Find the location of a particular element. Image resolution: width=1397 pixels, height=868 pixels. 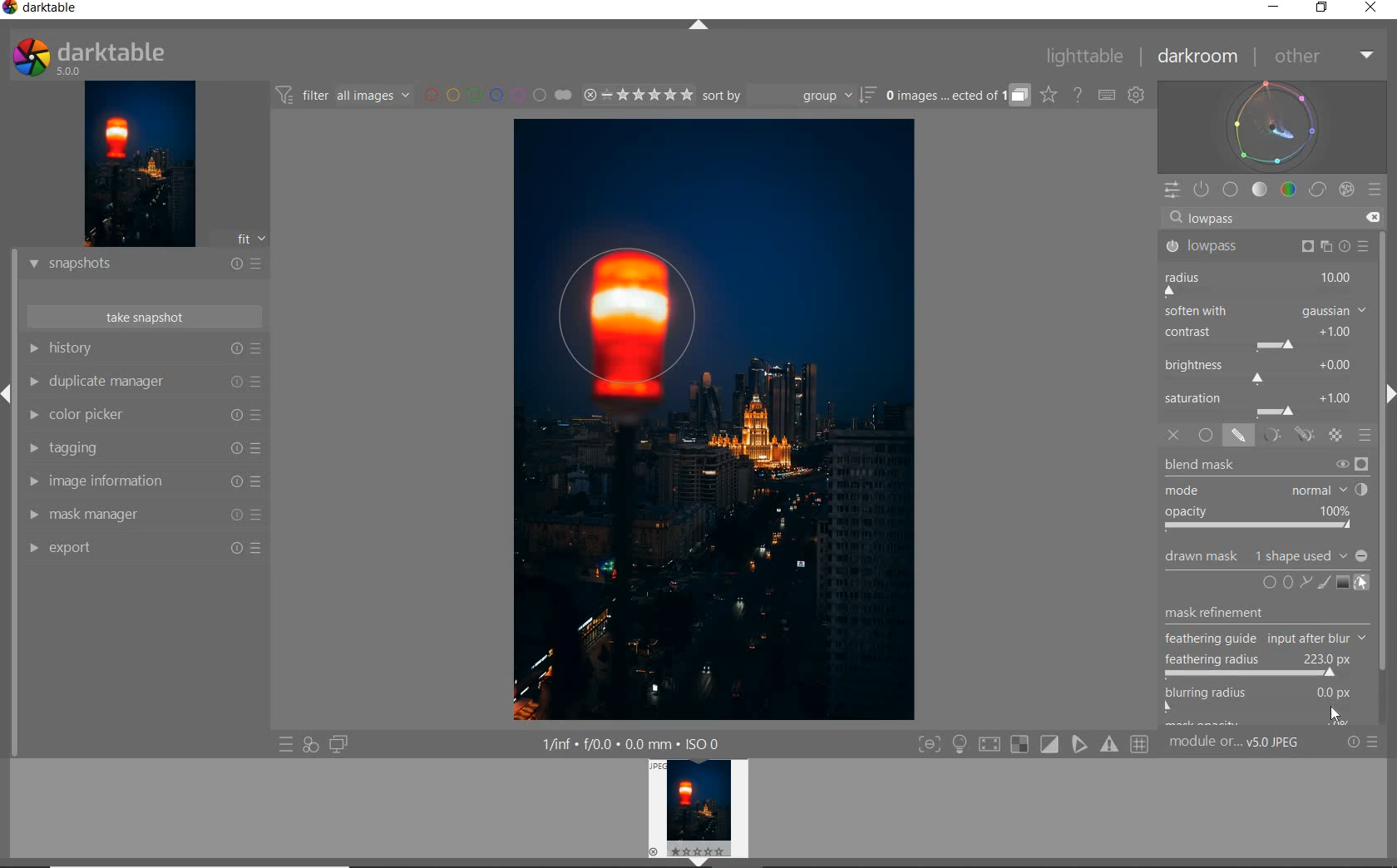

SCROLLBAR is located at coordinates (1389, 475).